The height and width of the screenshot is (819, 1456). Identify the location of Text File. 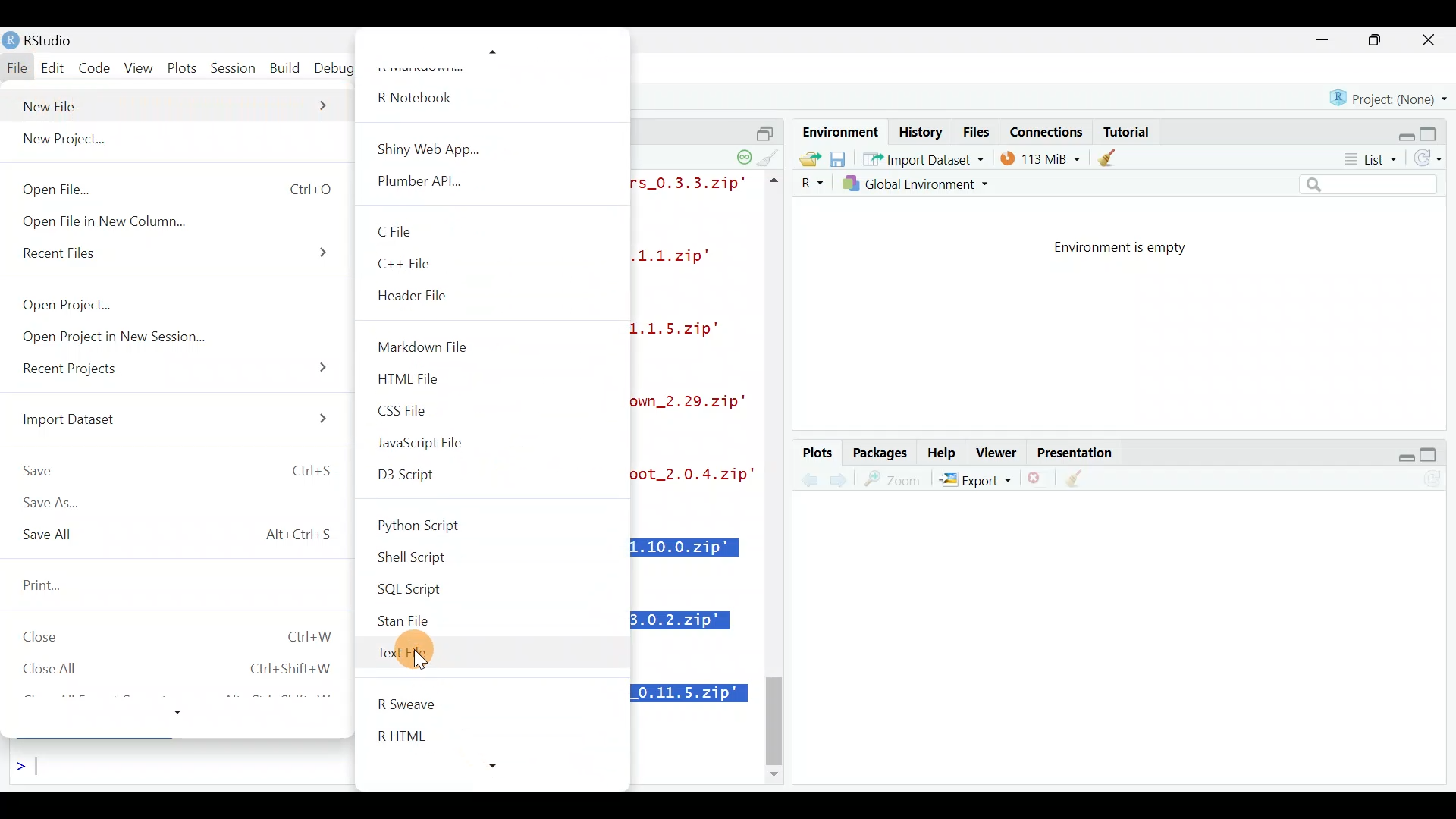
(418, 651).